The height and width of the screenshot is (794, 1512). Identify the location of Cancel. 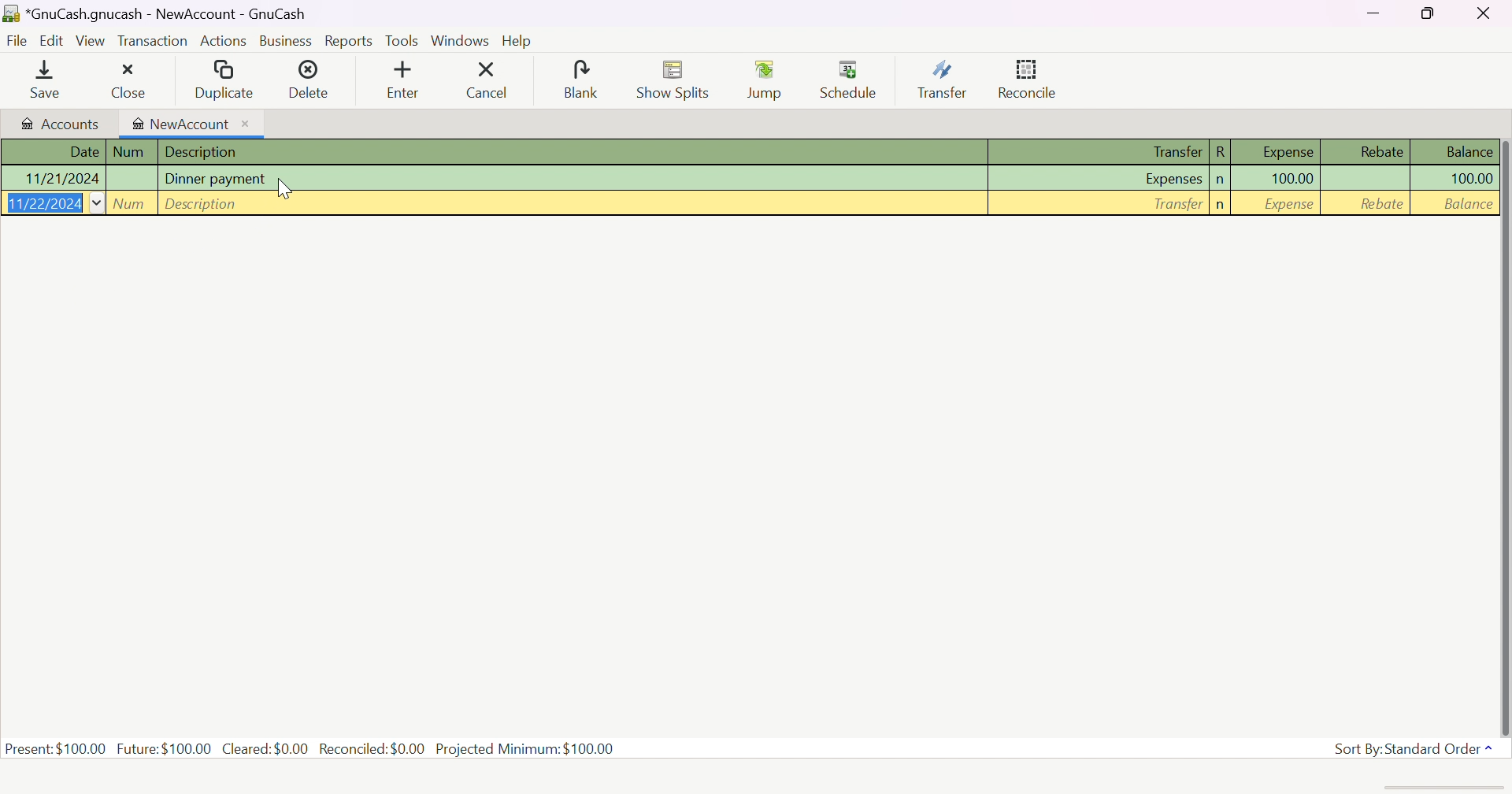
(486, 80).